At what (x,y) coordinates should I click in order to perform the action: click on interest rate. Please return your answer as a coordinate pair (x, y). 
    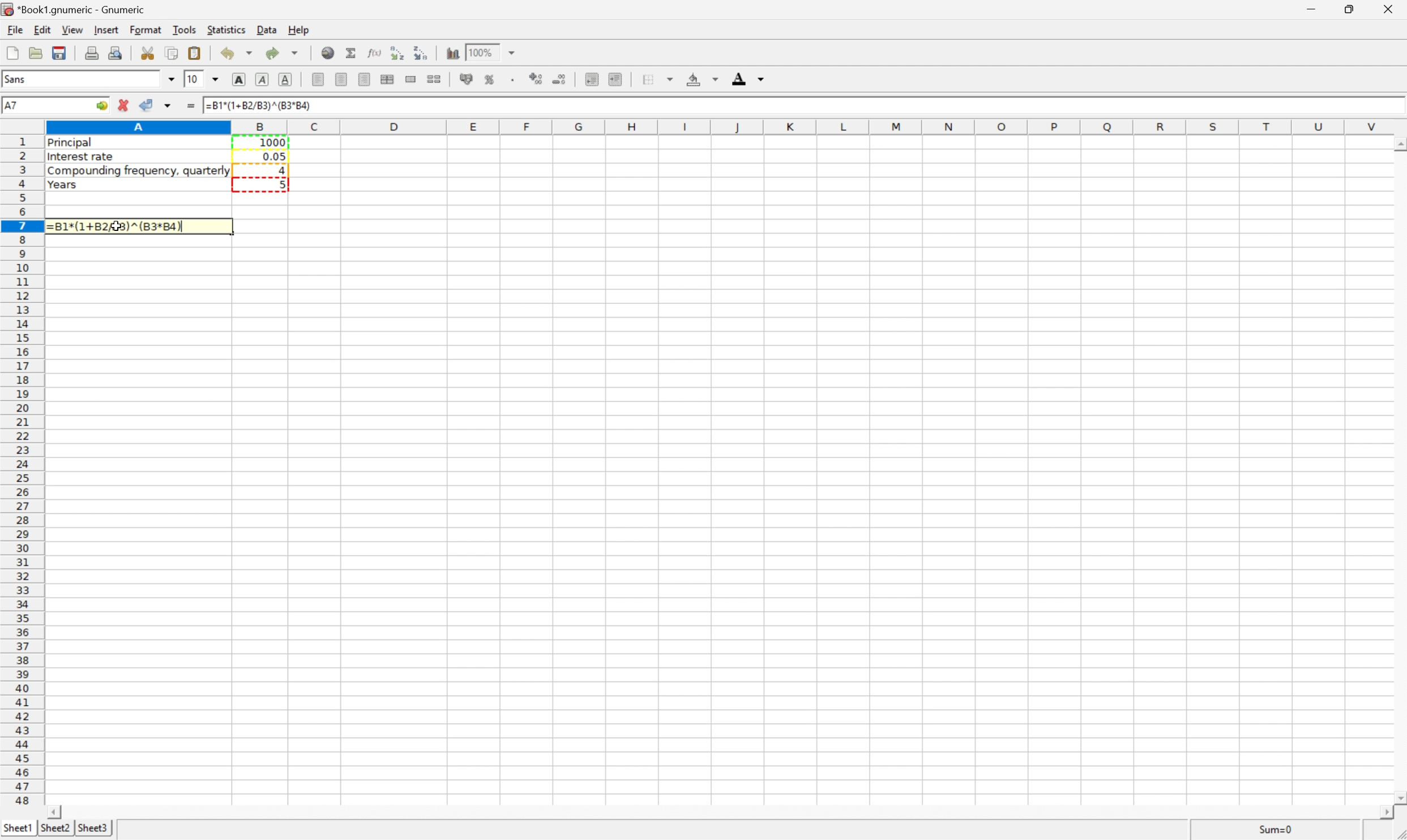
    Looking at the image, I should click on (81, 158).